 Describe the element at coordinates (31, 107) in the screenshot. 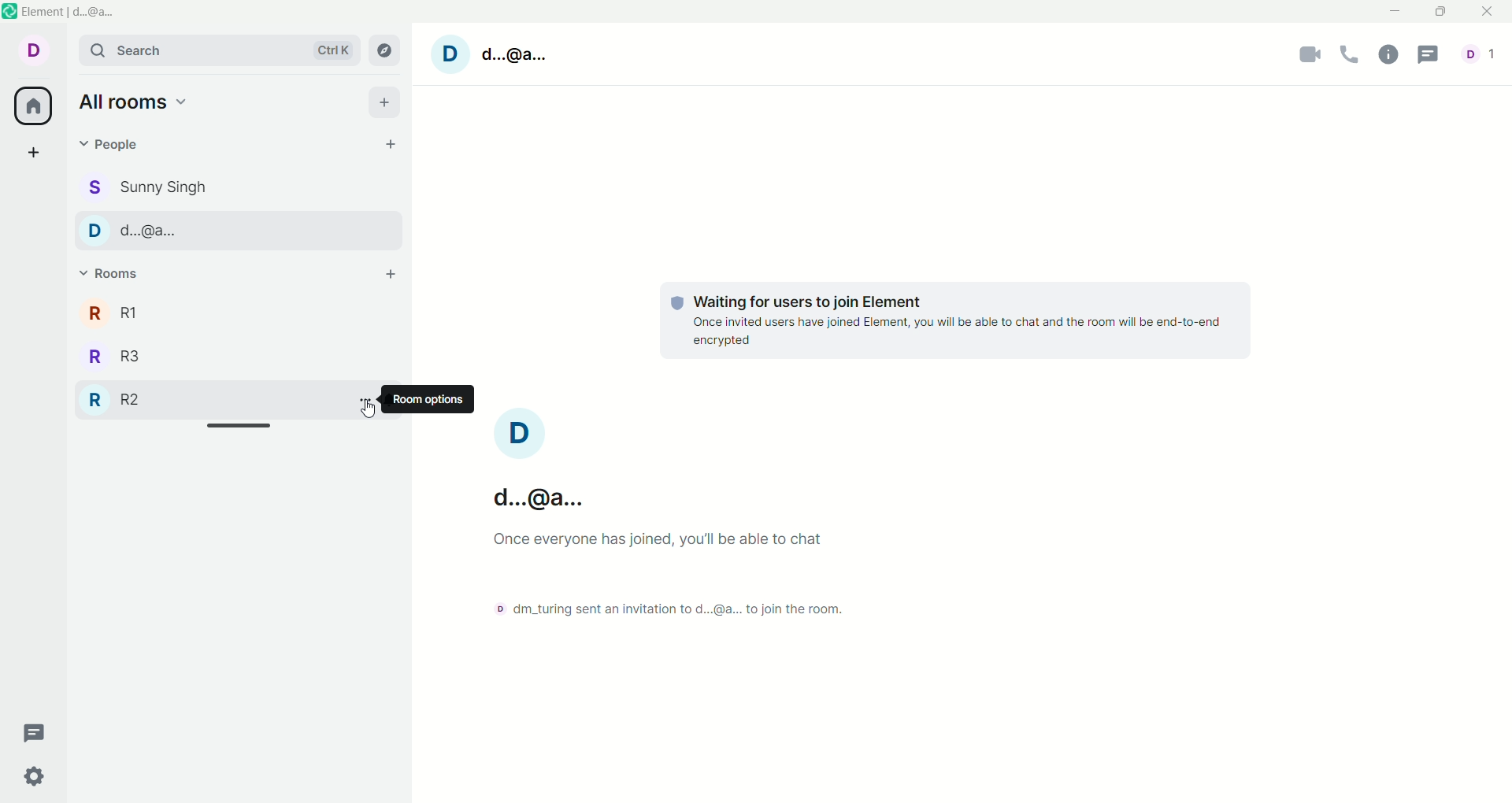

I see `all rooms` at that location.